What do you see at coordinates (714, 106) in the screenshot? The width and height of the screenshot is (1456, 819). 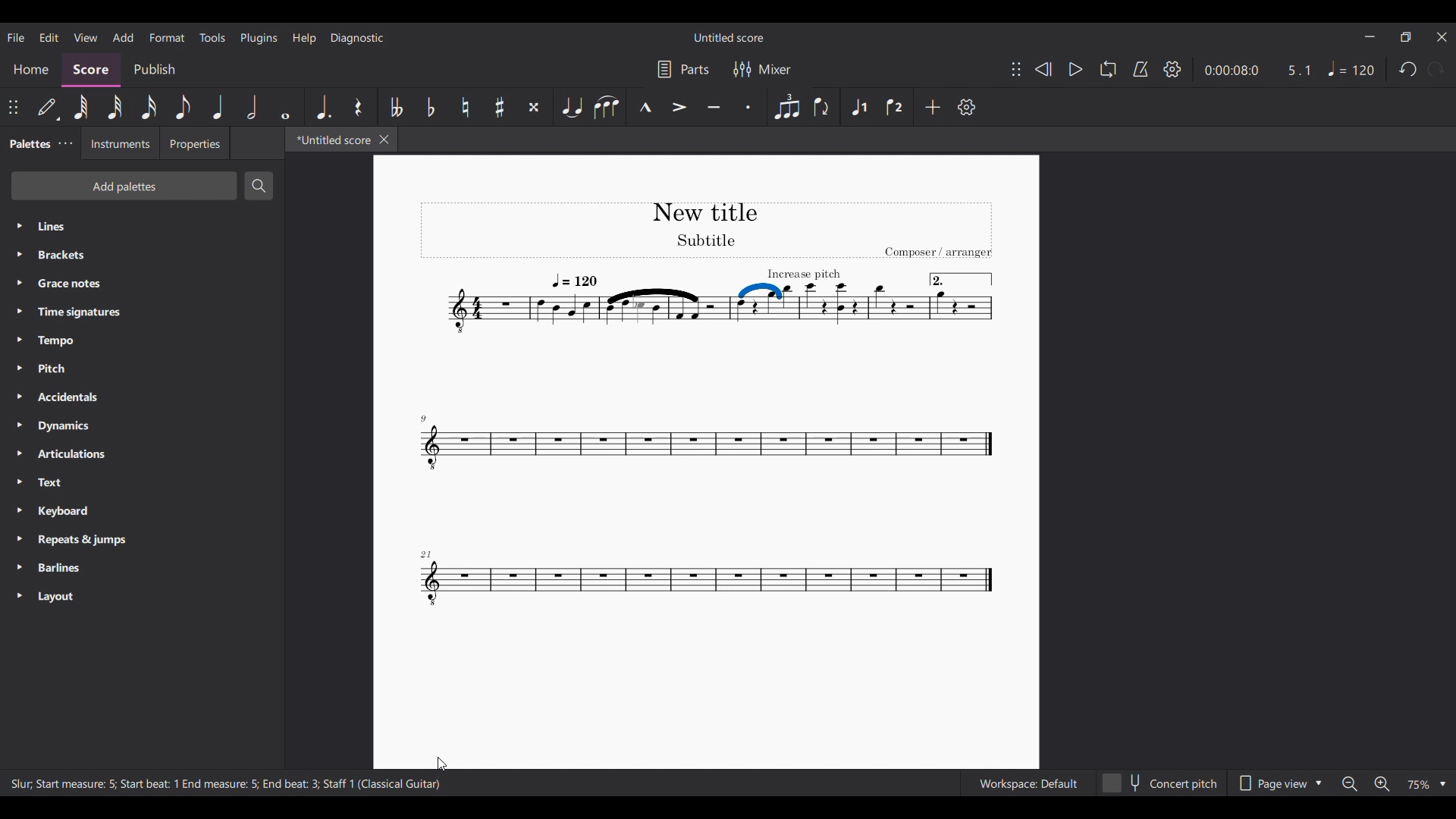 I see `Tenuto` at bounding box center [714, 106].